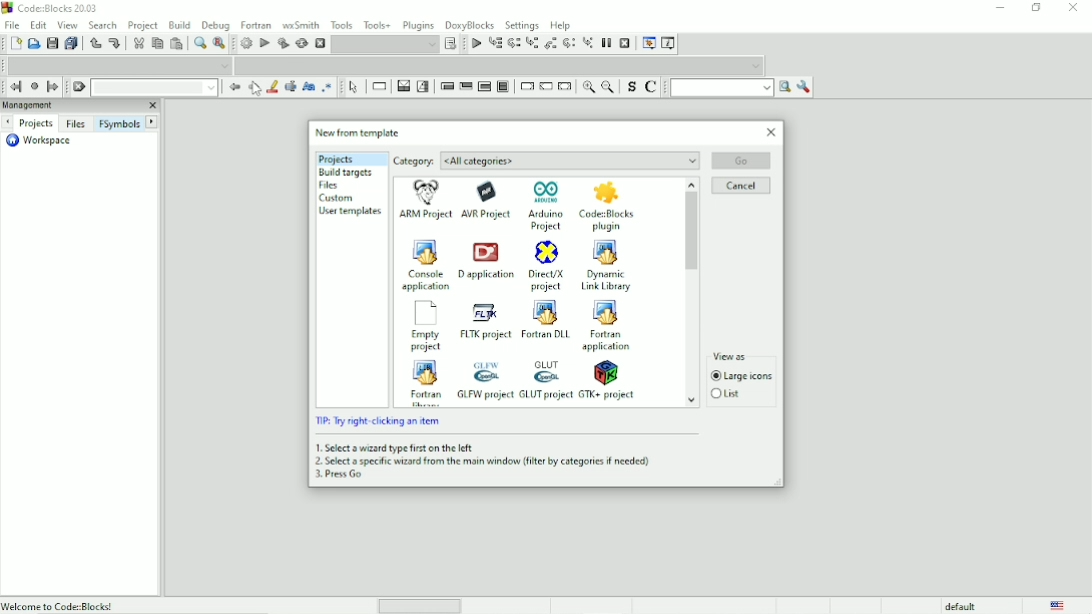 Image resolution: width=1092 pixels, height=614 pixels. Describe the element at coordinates (501, 66) in the screenshot. I see `Drop down` at that location.